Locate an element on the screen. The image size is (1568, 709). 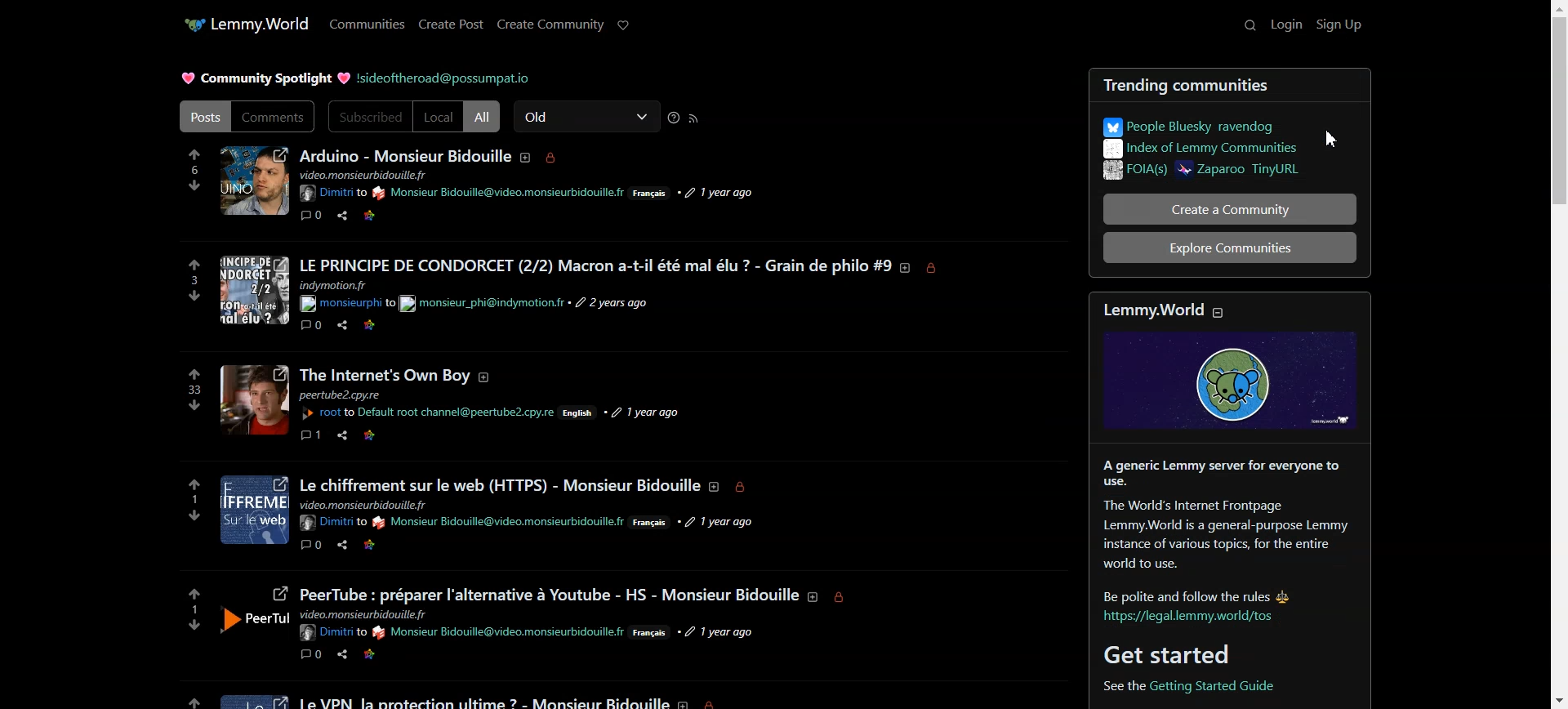
Sign Up is located at coordinates (1339, 24).